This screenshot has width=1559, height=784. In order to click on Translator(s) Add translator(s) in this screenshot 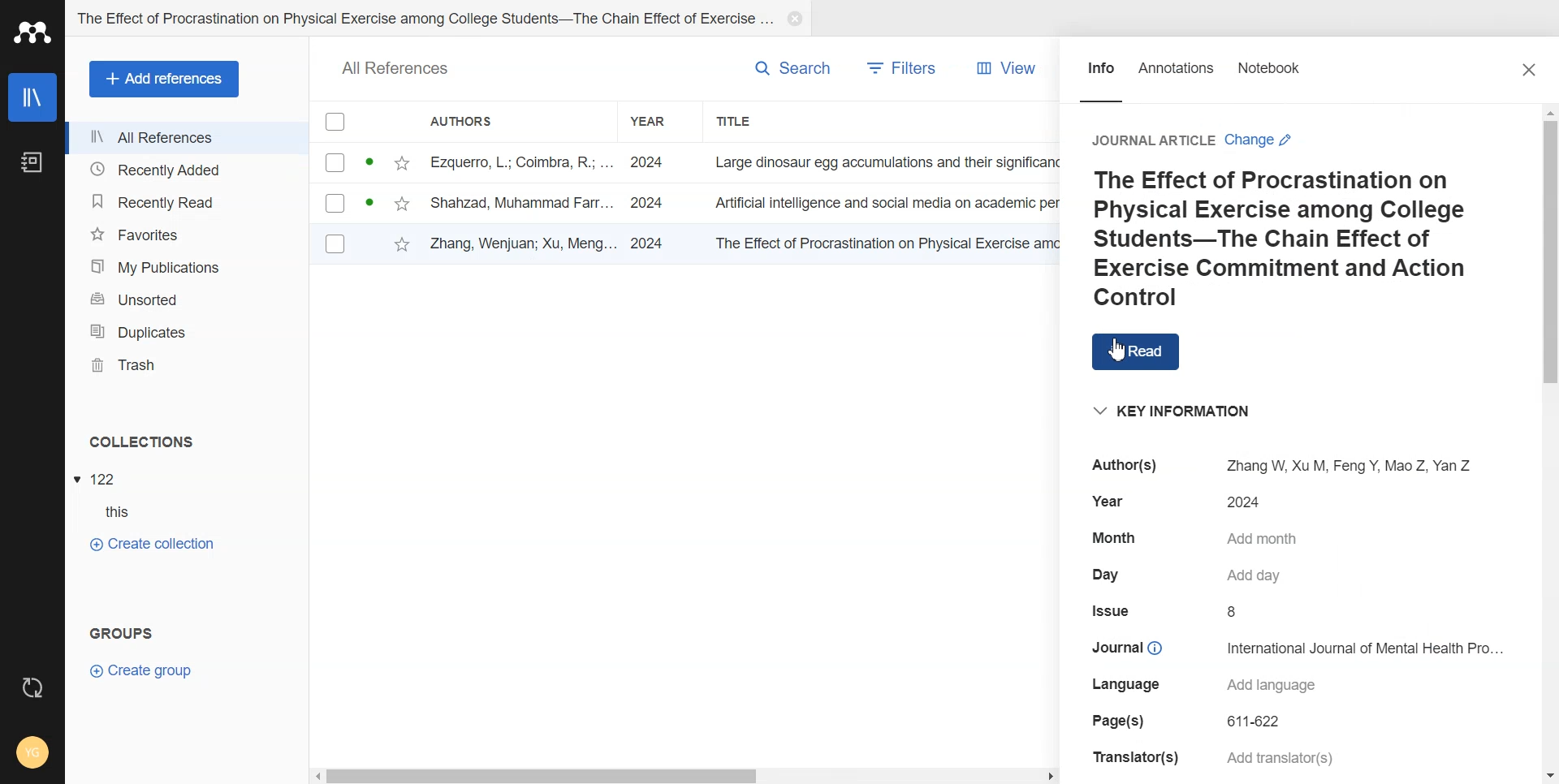, I will do `click(1212, 758)`.